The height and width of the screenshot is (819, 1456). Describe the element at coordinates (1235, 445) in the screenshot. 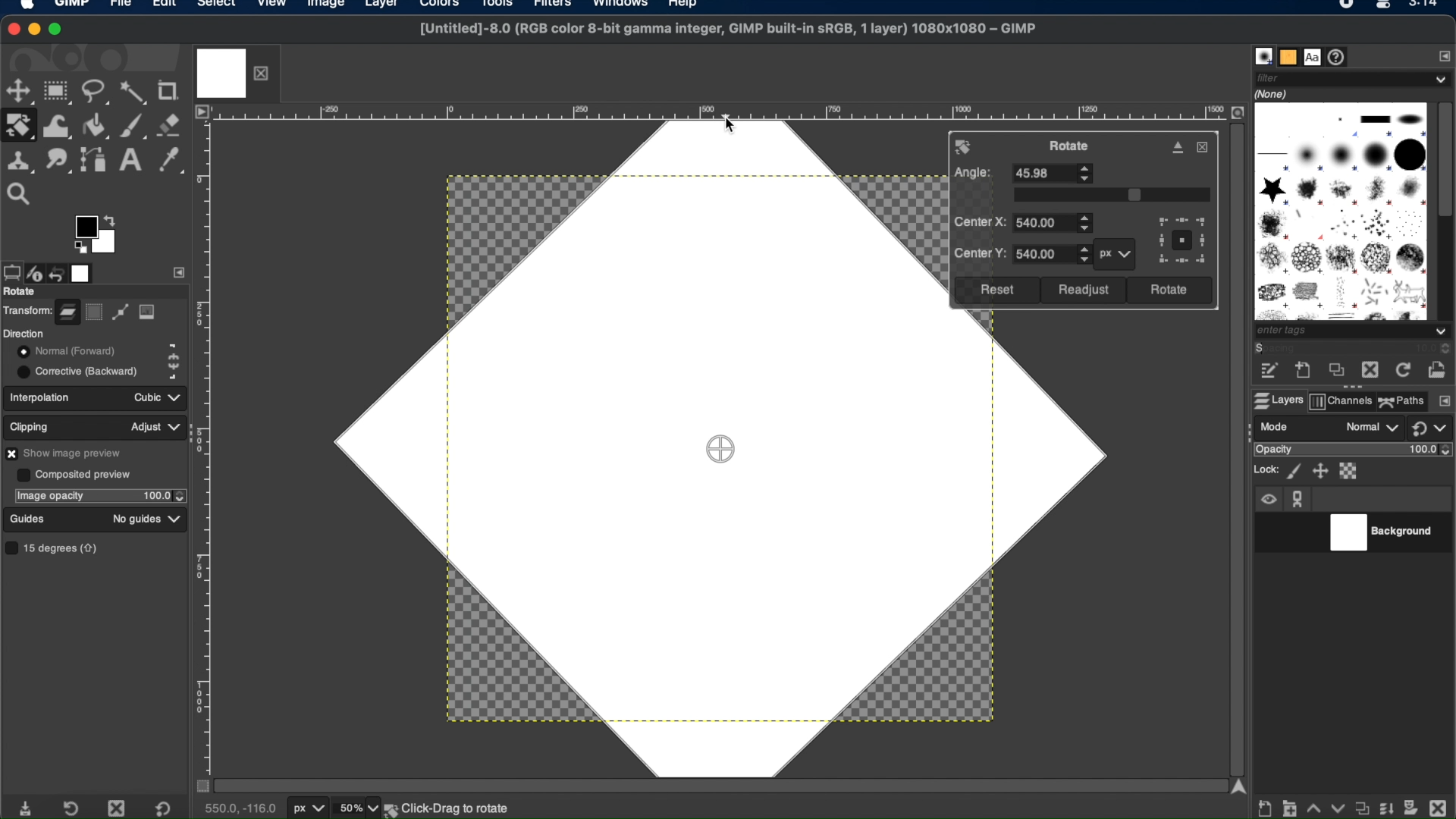

I see `scroll bar` at that location.